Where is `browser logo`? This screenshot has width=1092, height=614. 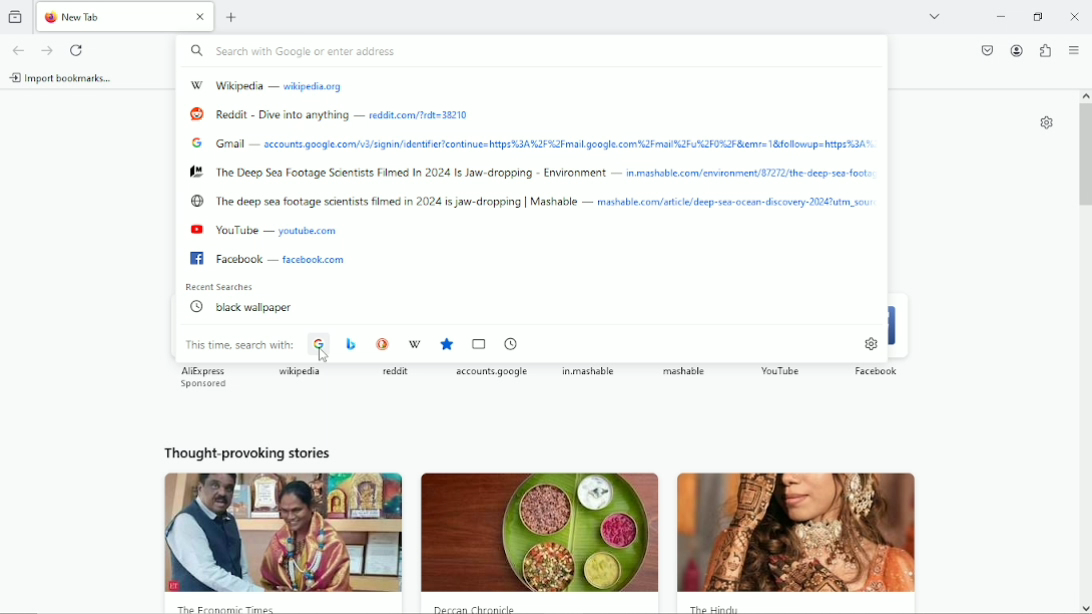 browser logo is located at coordinates (197, 201).